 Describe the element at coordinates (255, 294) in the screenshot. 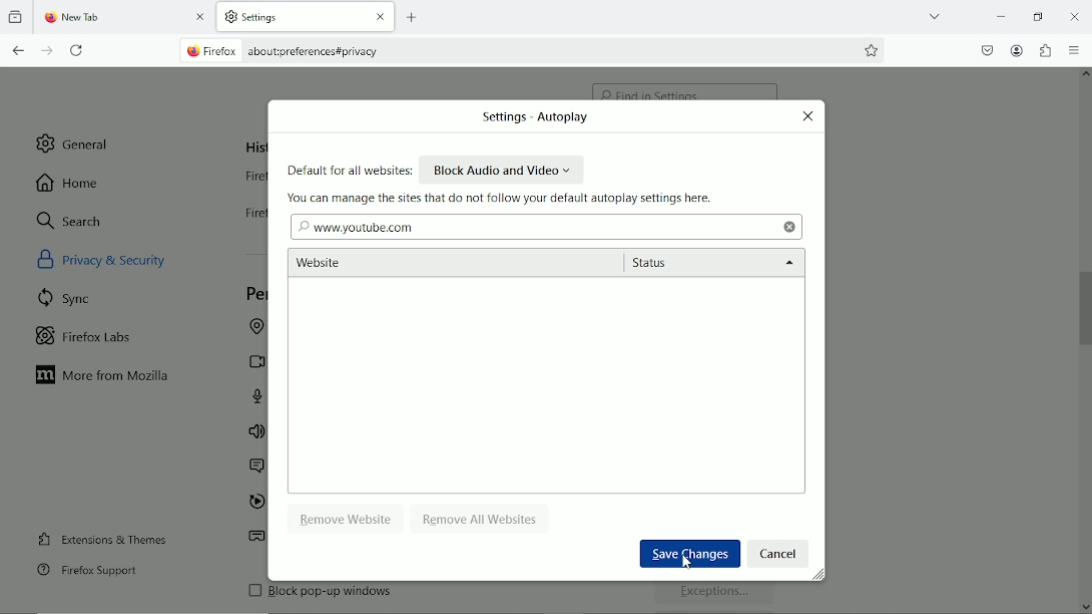

I see `permissions` at that location.